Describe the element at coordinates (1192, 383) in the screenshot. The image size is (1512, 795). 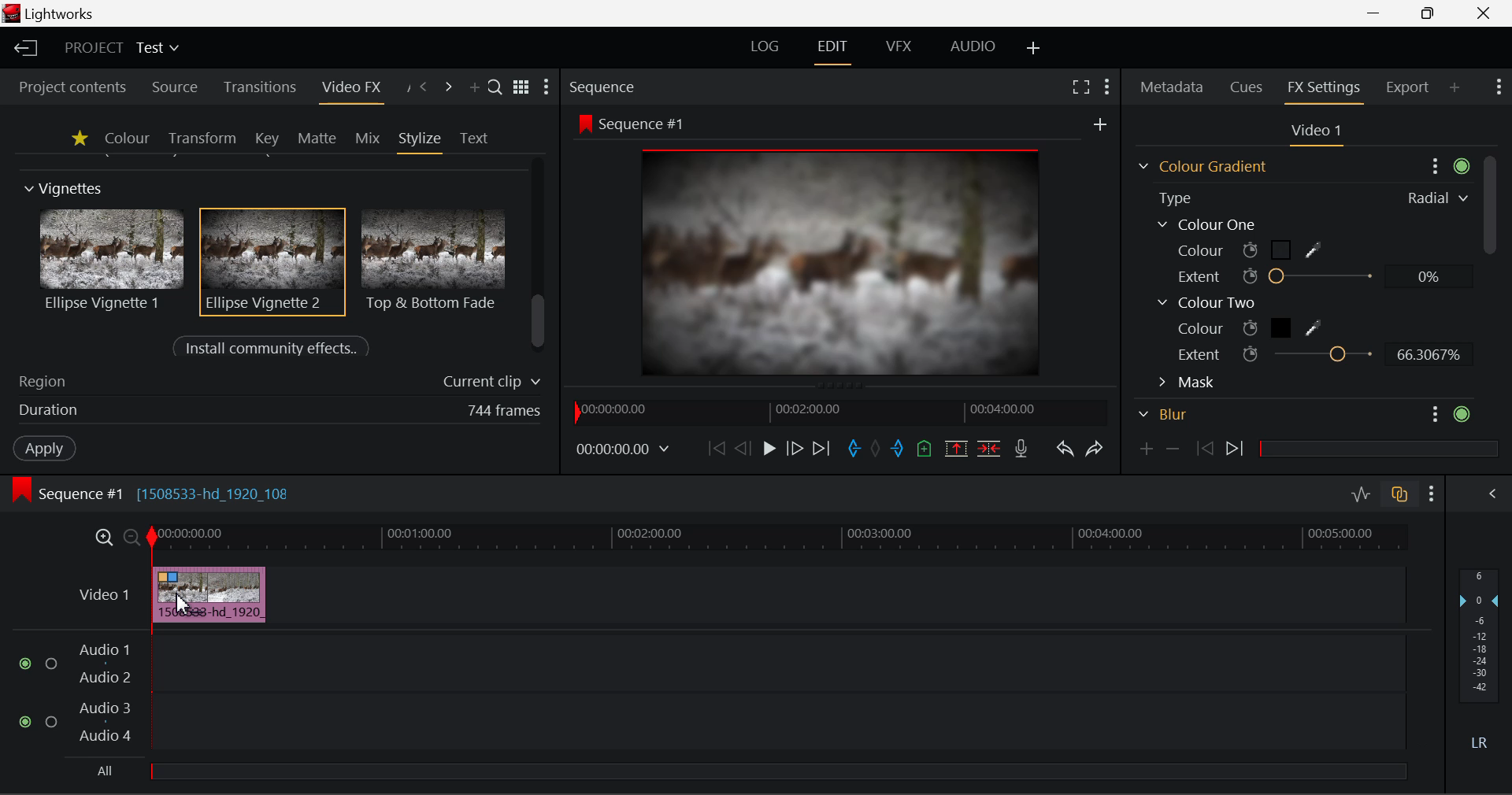
I see `> Mask` at that location.